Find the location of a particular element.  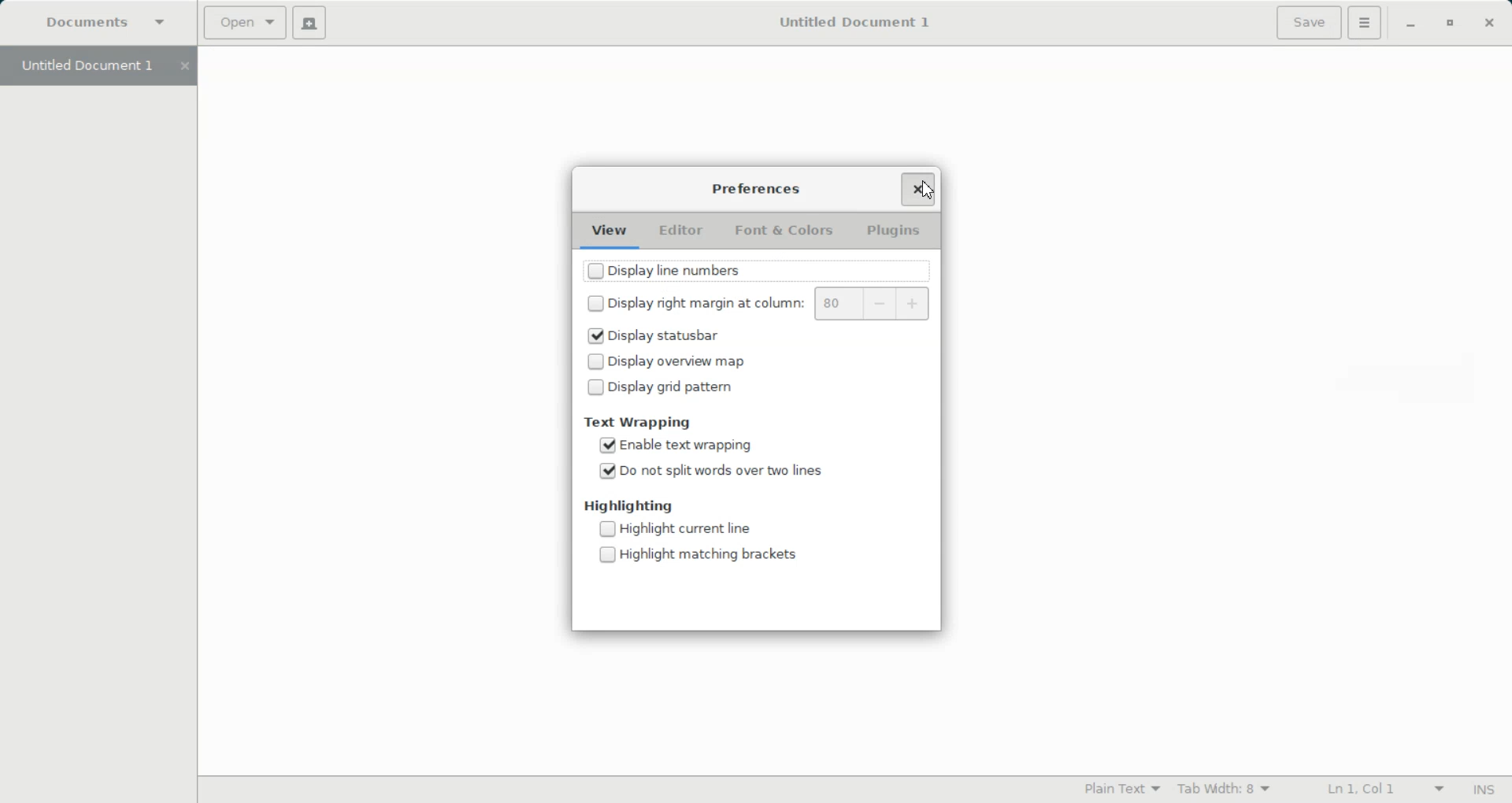

Untitled Document 1 is located at coordinates (845, 21).